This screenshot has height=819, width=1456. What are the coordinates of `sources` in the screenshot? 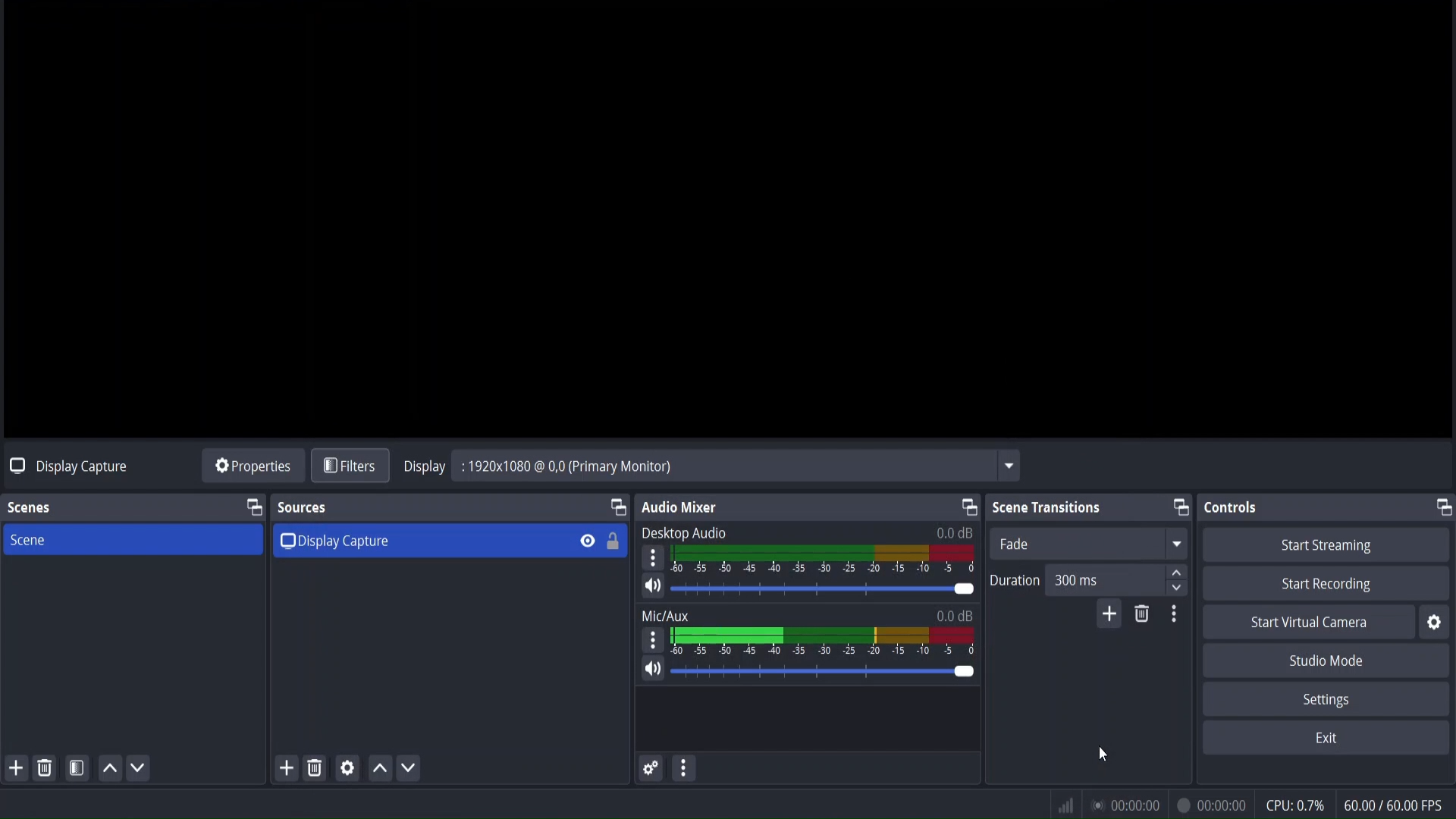 It's located at (303, 508).